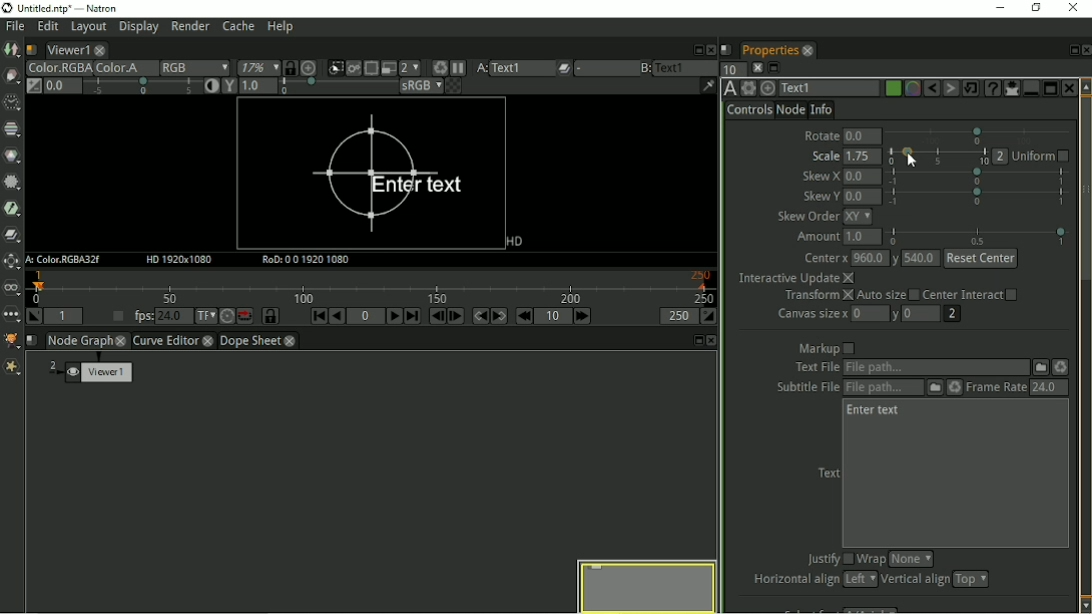 Image resolution: width=1092 pixels, height=614 pixels. I want to click on Layout, so click(87, 28).